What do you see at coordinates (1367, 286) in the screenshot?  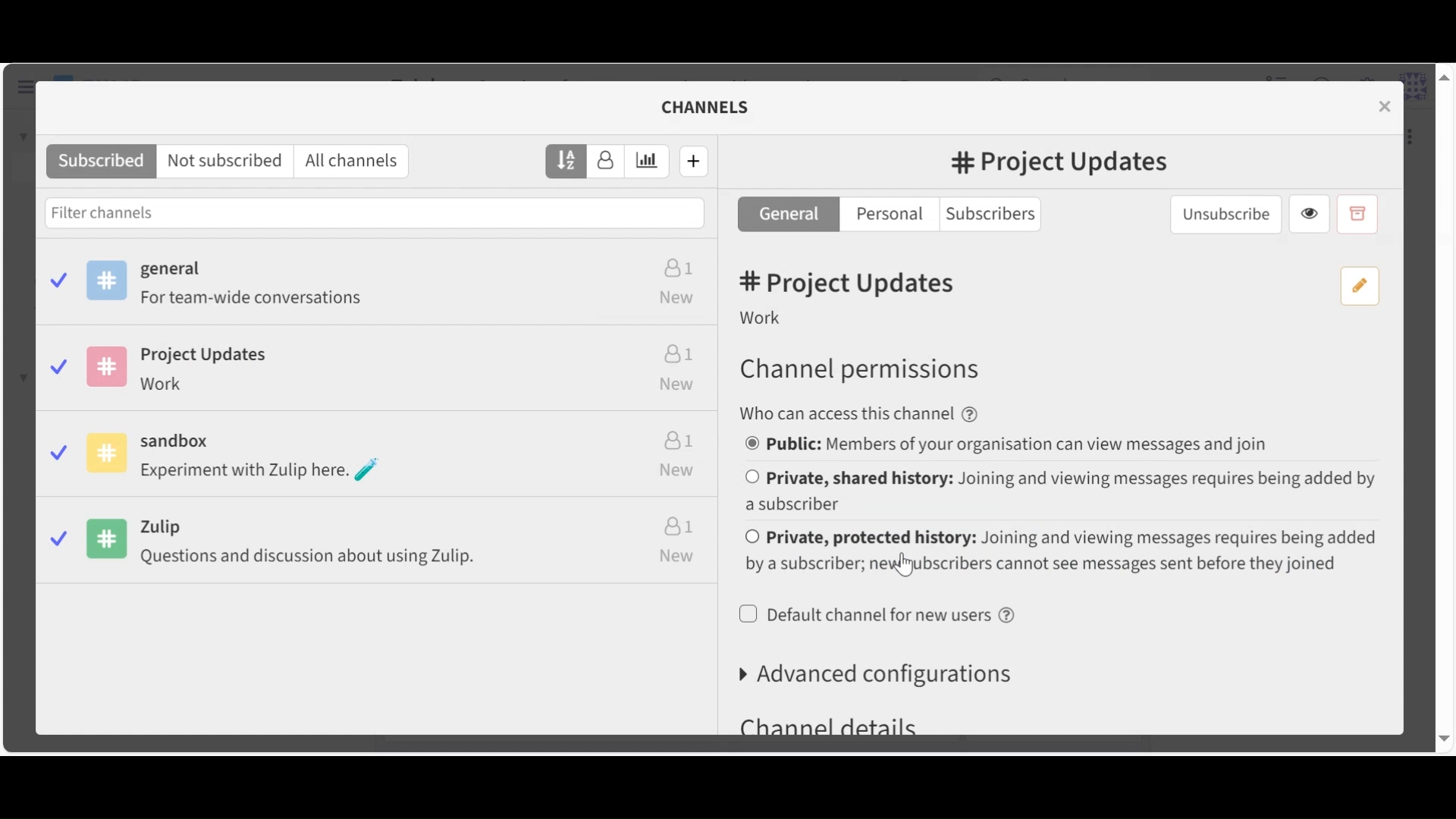 I see `Edit channel name and description` at bounding box center [1367, 286].